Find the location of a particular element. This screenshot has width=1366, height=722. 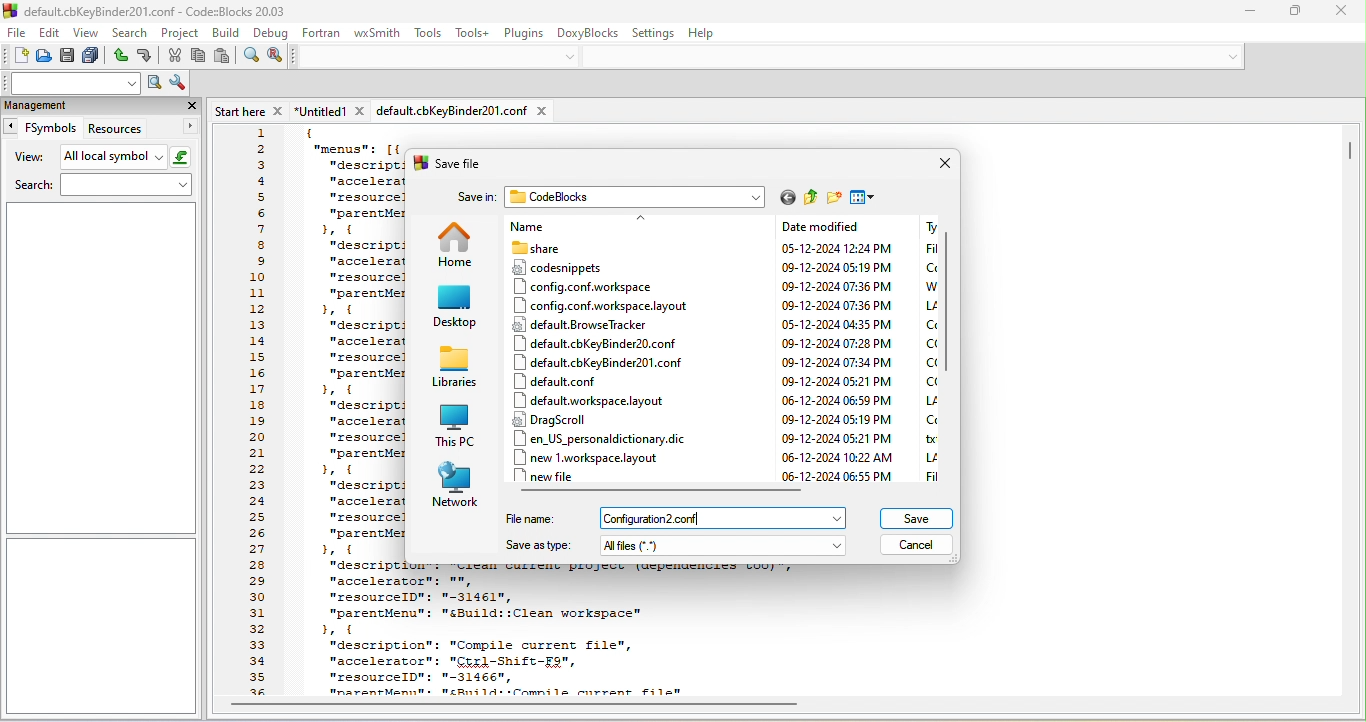

down is located at coordinates (571, 56).